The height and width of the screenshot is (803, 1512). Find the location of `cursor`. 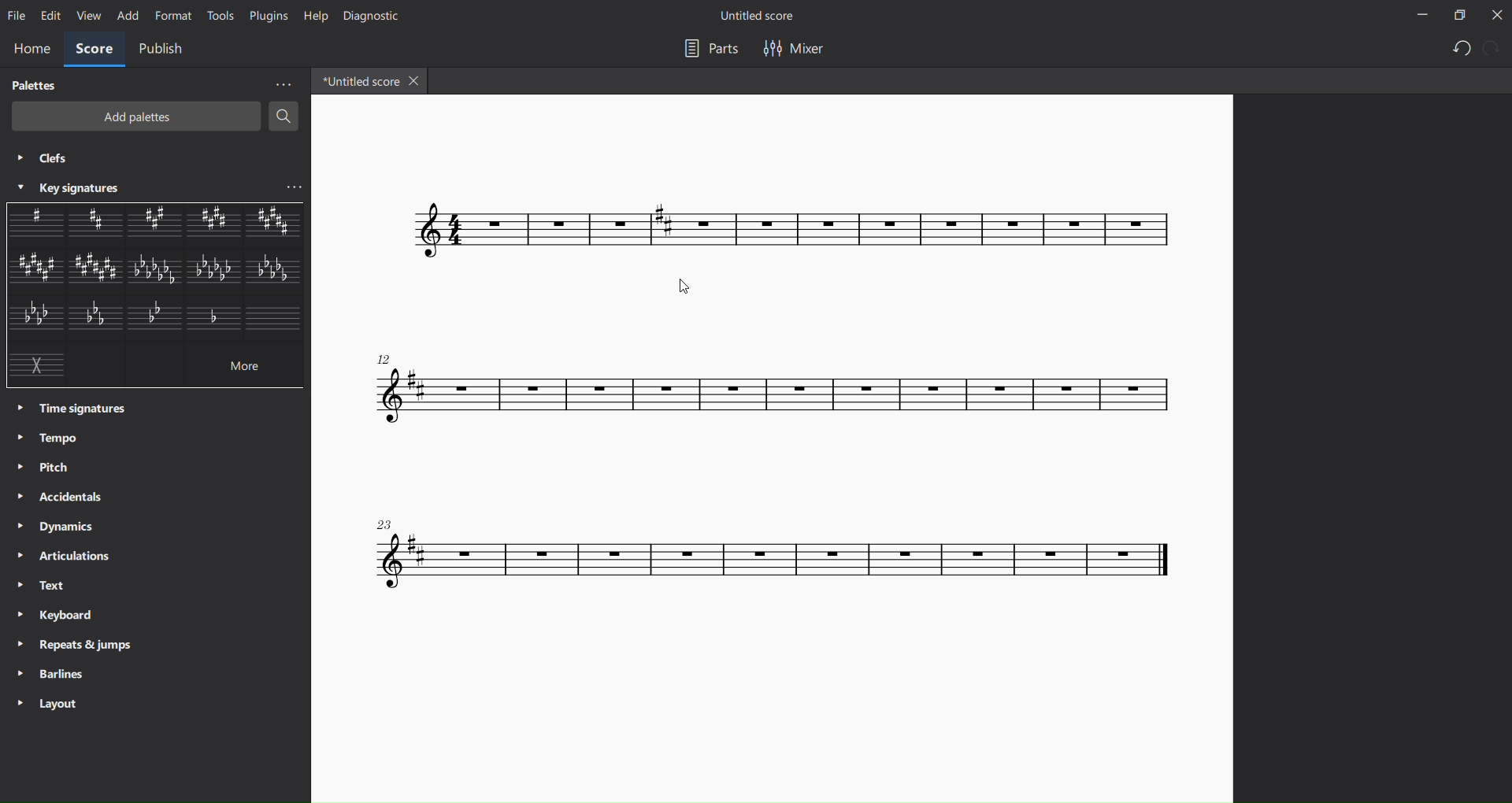

cursor is located at coordinates (684, 284).